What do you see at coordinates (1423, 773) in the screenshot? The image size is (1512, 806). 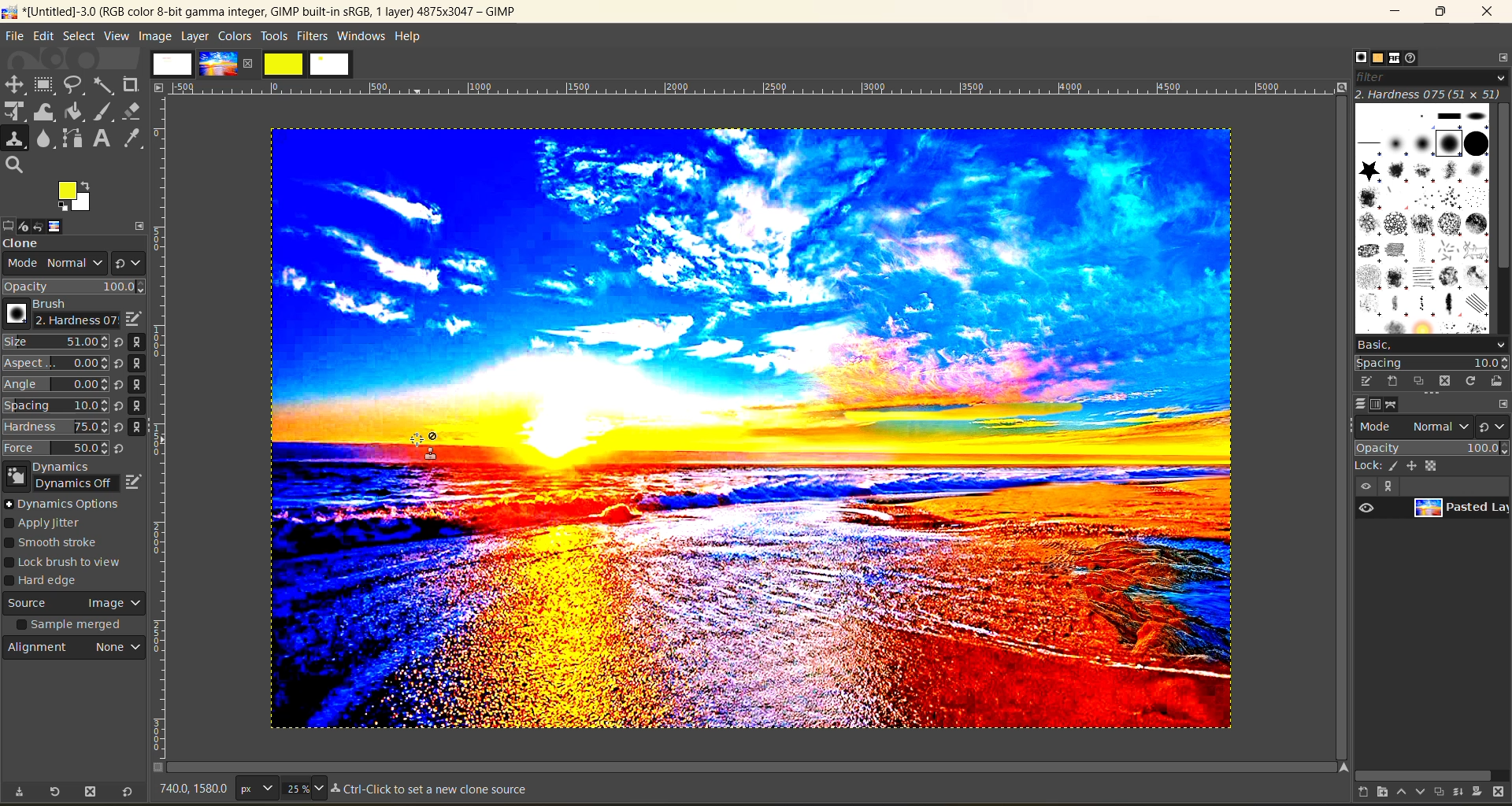 I see `horizontal scroll bar` at bounding box center [1423, 773].